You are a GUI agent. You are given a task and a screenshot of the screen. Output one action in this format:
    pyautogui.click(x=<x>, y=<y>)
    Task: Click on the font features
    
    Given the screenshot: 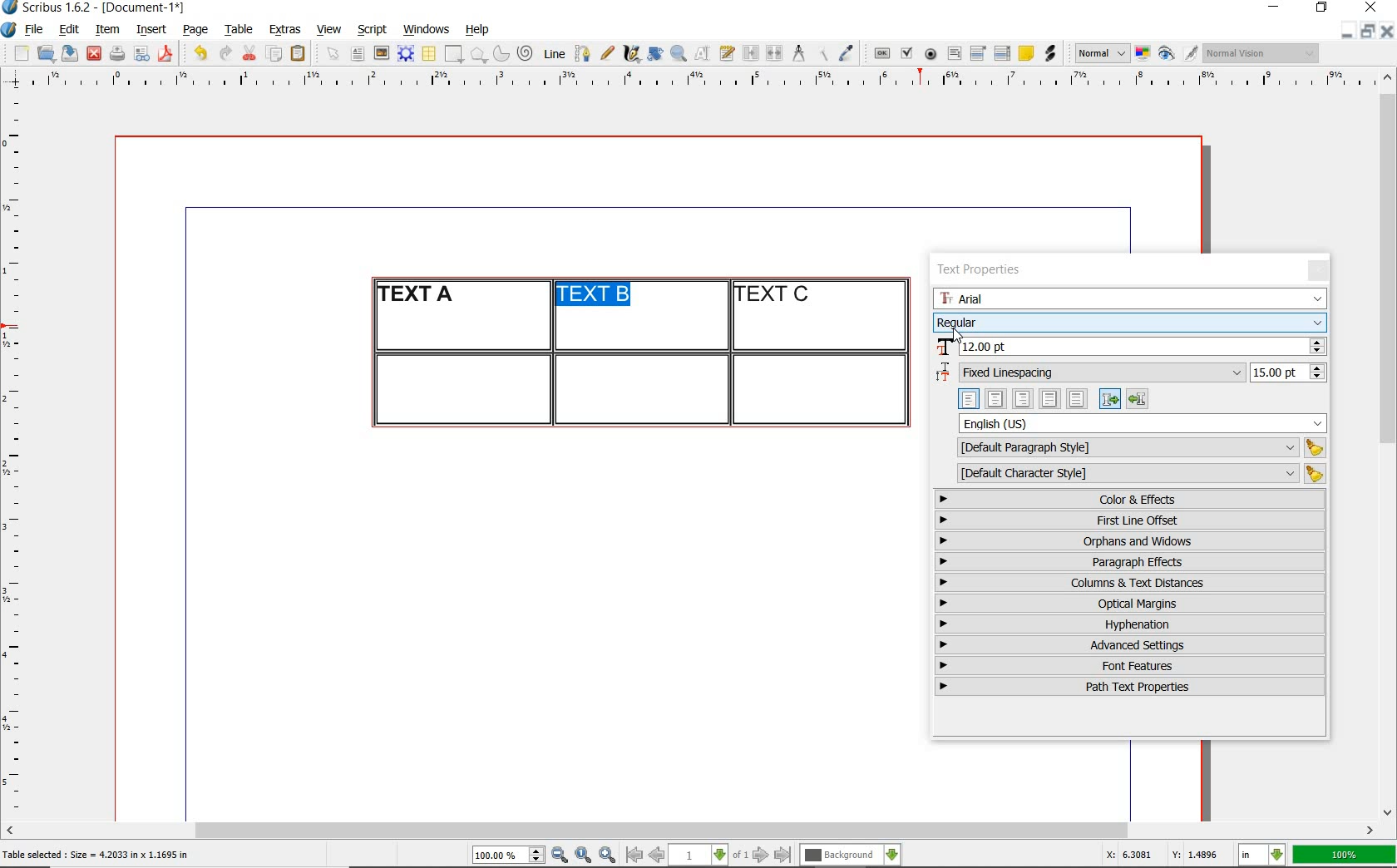 What is the action you would take?
    pyautogui.click(x=1130, y=665)
    